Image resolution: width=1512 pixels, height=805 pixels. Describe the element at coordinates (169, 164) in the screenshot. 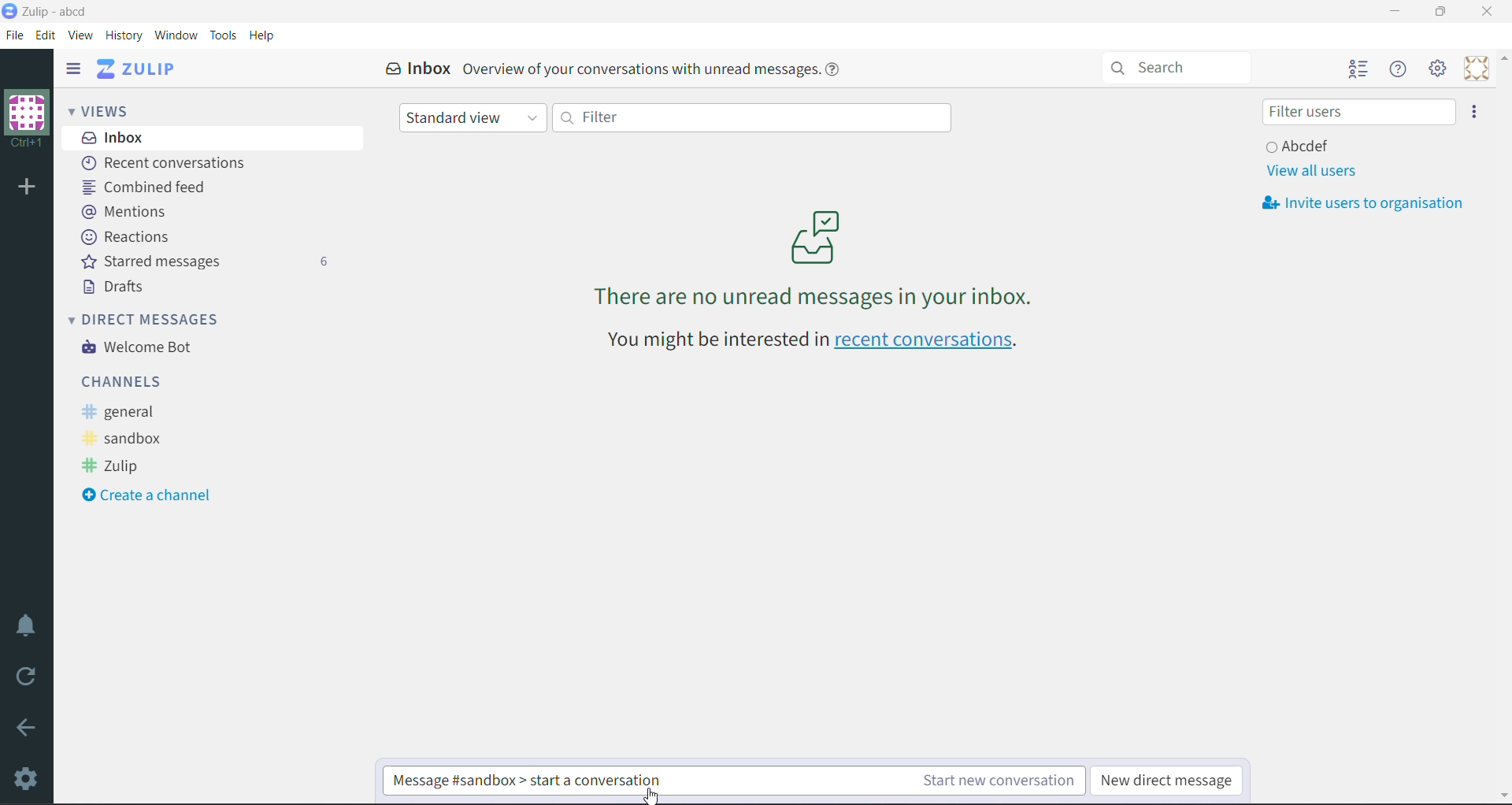

I see `Recent conversations` at that location.